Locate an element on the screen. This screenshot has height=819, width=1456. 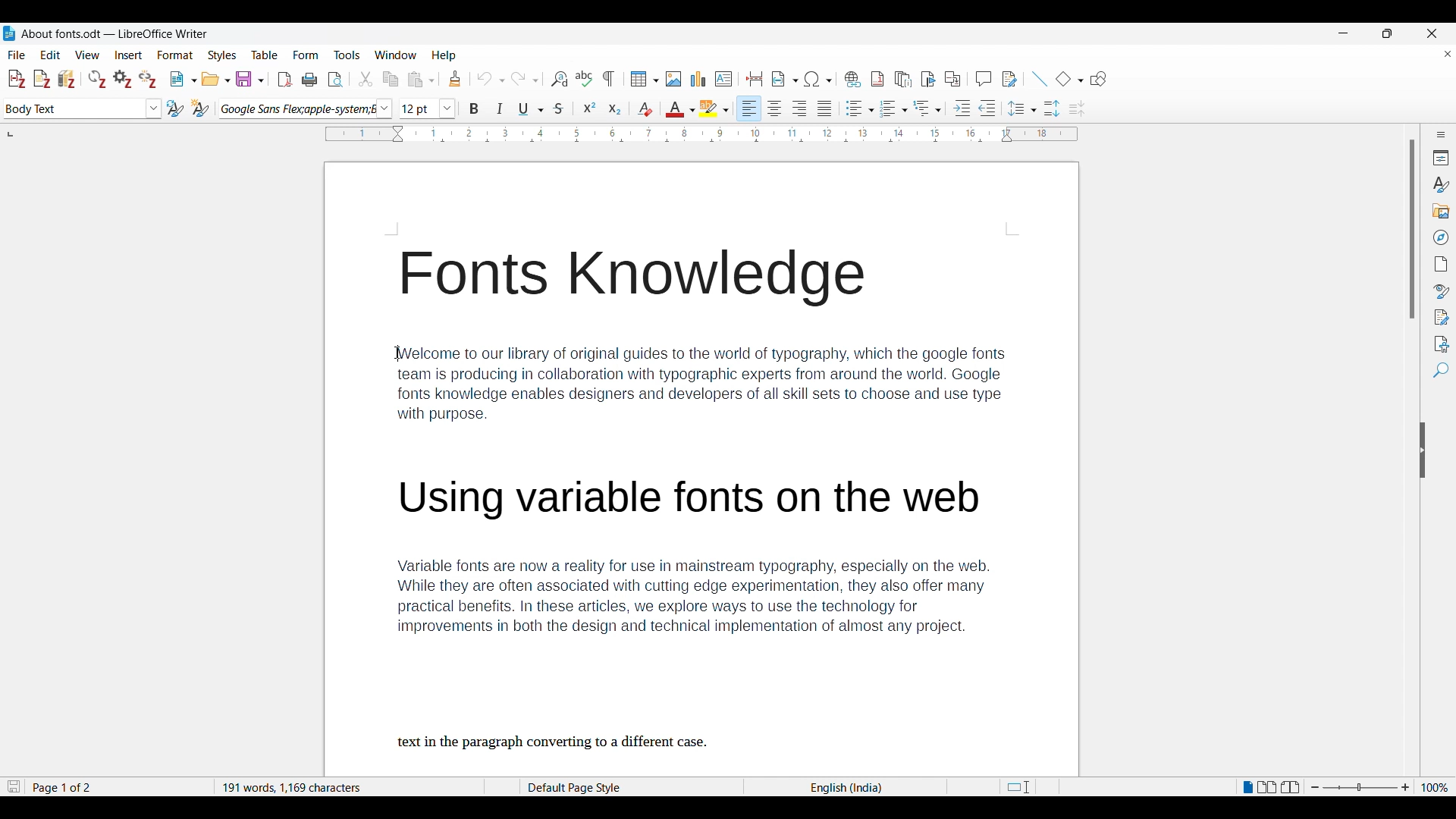
Description of Fonts knowledge is located at coordinates (703, 391).